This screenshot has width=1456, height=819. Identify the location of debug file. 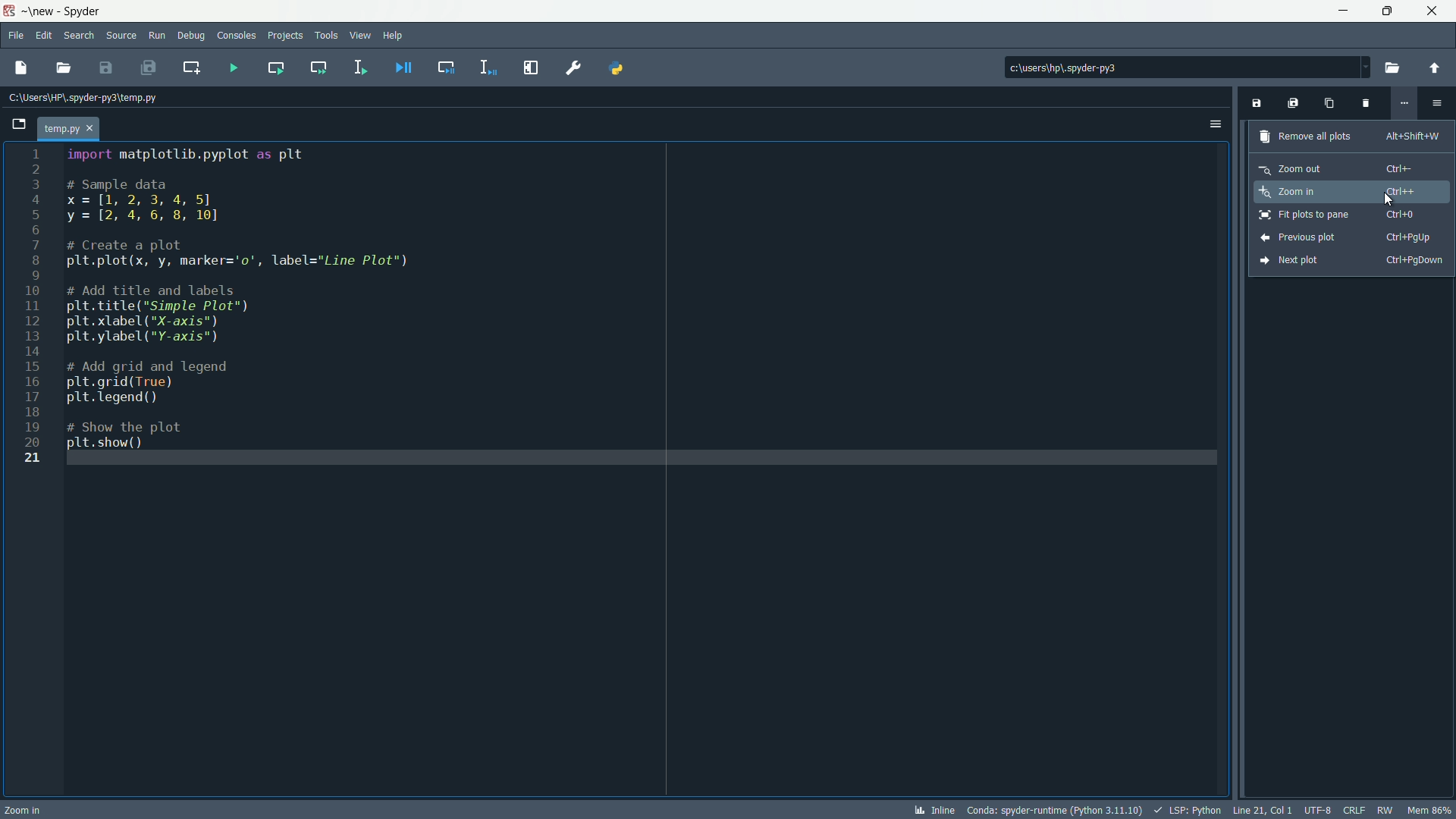
(403, 67).